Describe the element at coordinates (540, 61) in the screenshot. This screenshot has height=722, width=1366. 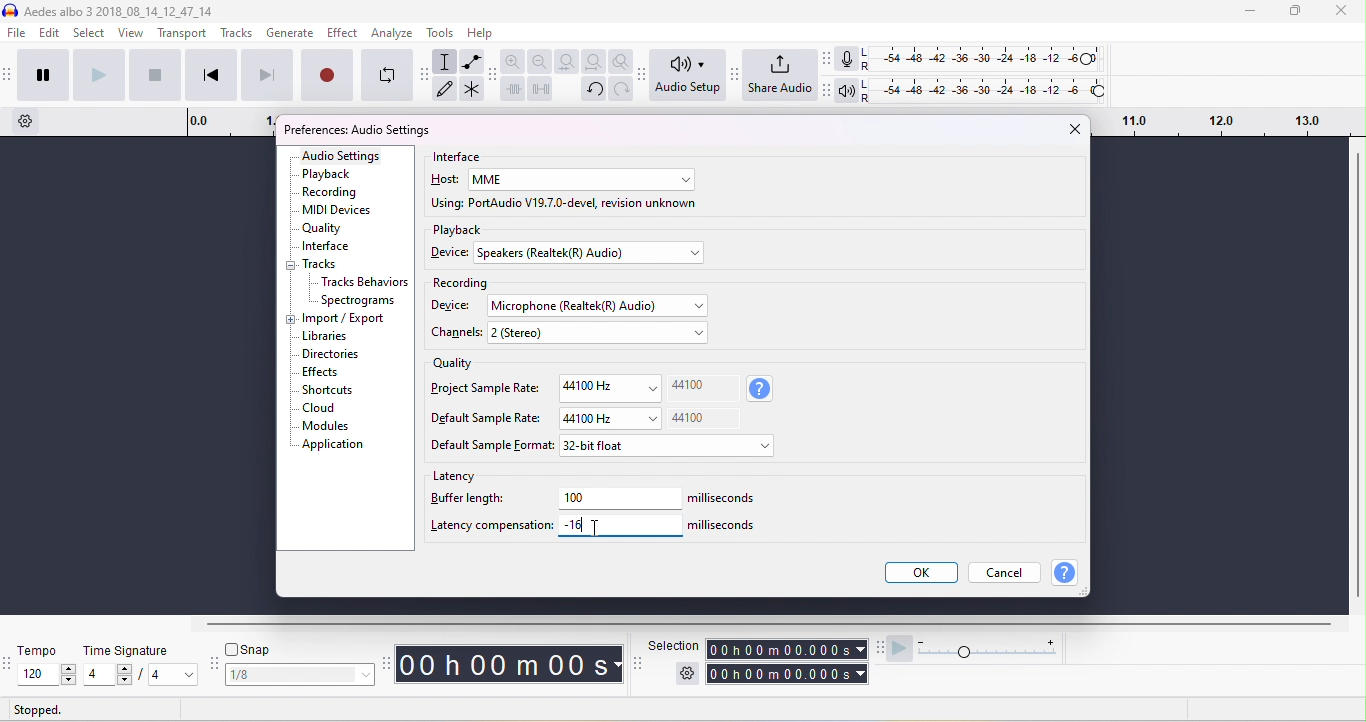
I see `zoom out` at that location.